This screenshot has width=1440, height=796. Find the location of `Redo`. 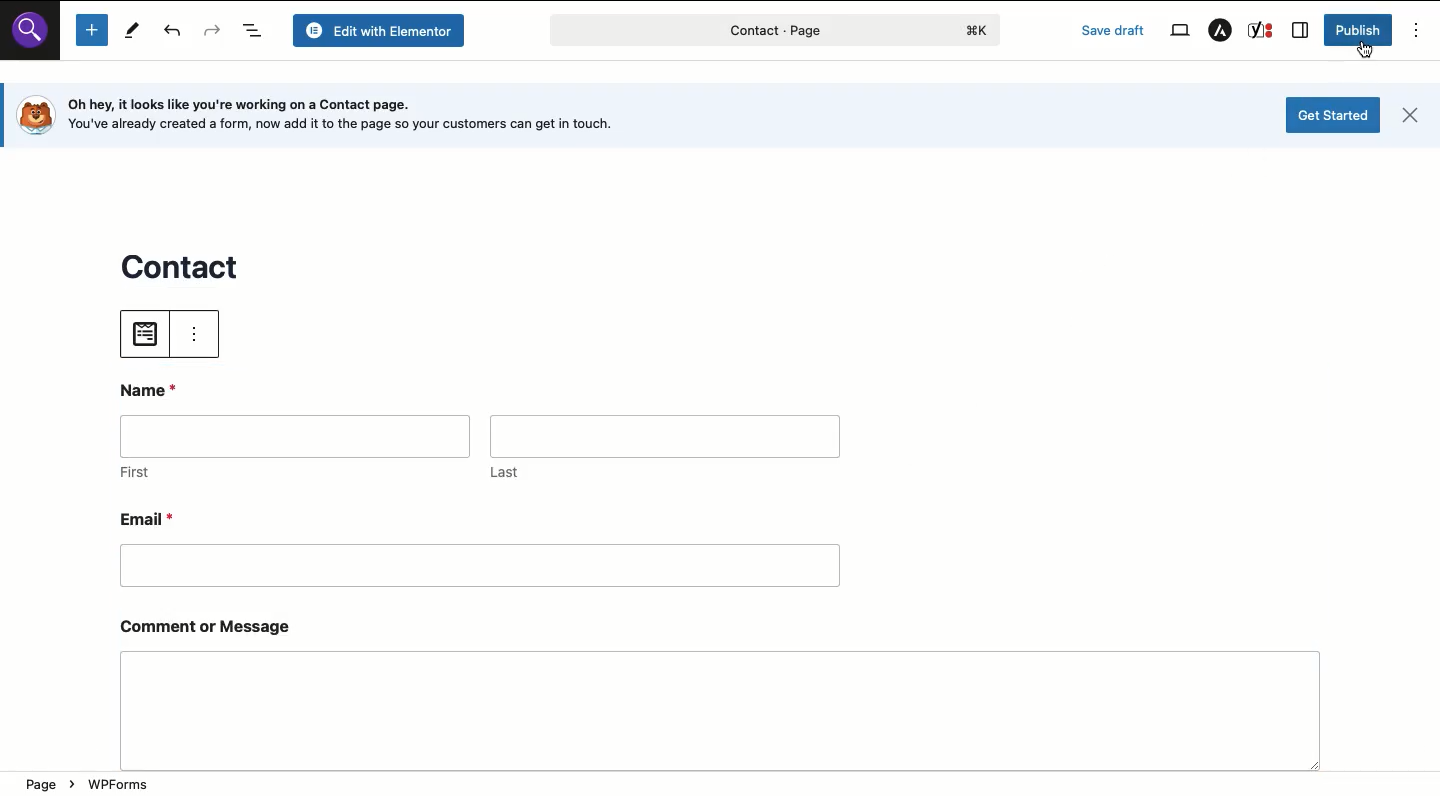

Redo is located at coordinates (213, 32).